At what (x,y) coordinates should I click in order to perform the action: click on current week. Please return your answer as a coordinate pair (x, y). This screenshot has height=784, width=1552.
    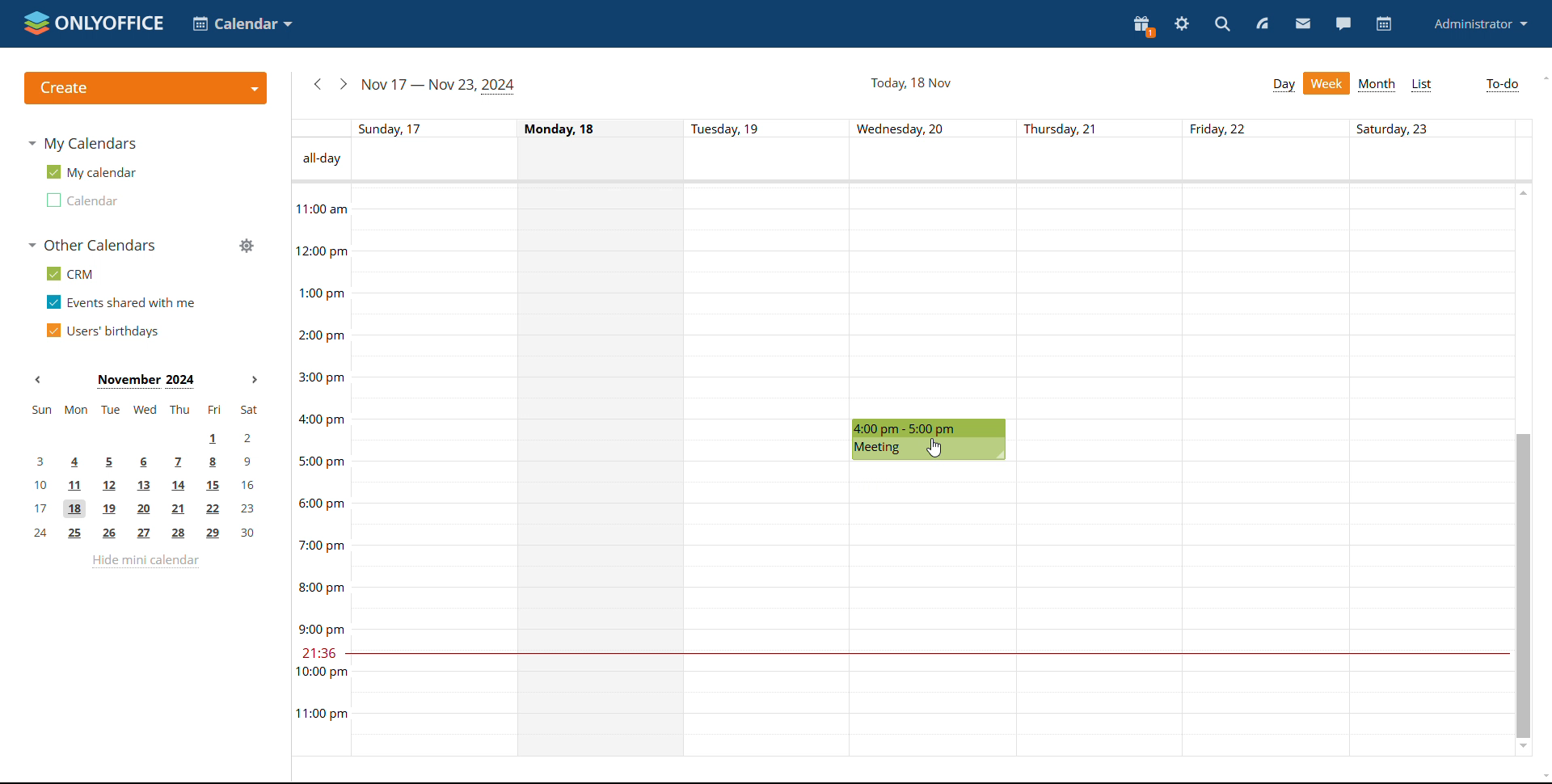
    Looking at the image, I should click on (437, 86).